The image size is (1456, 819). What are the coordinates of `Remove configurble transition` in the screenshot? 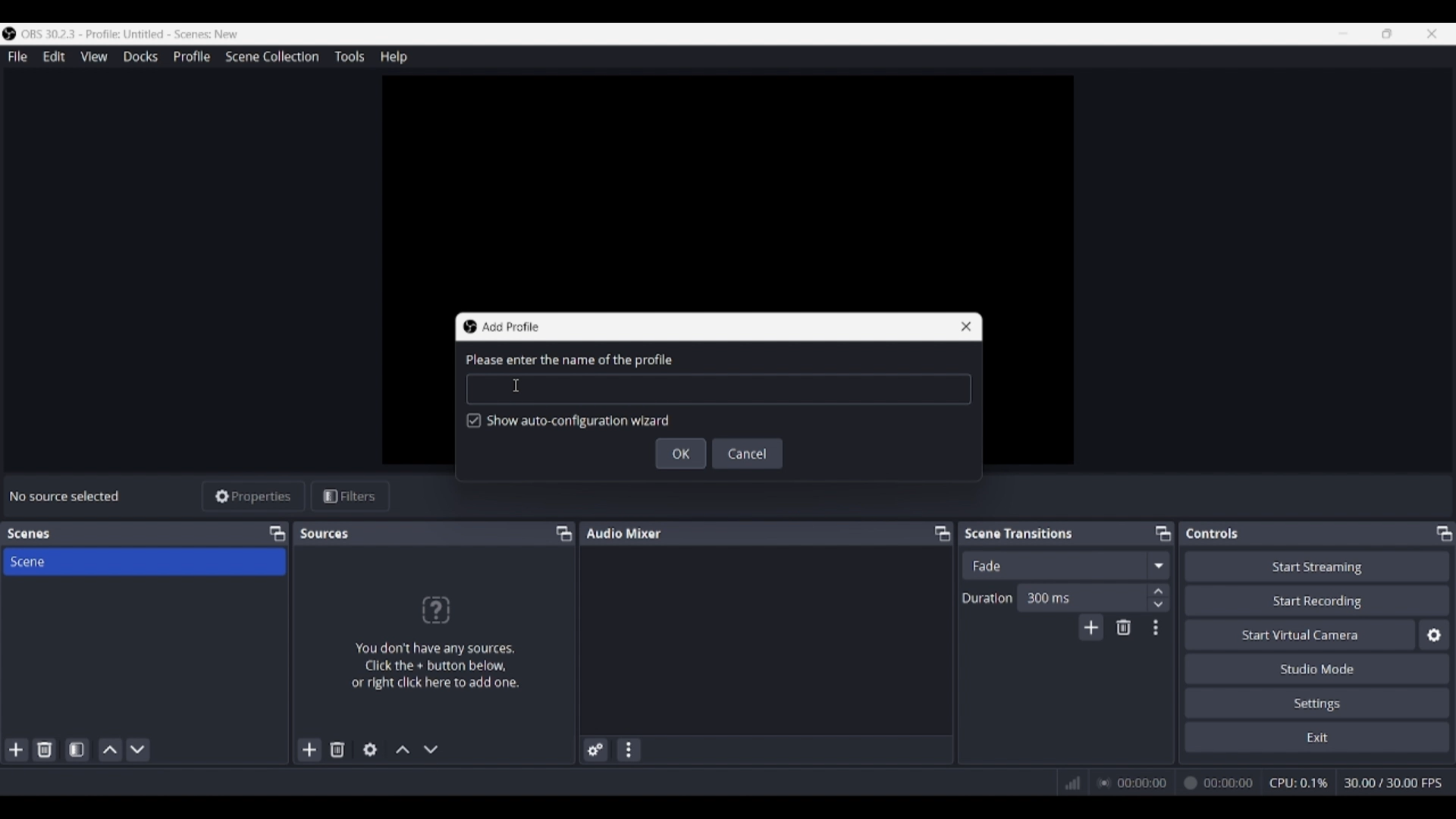 It's located at (1124, 627).